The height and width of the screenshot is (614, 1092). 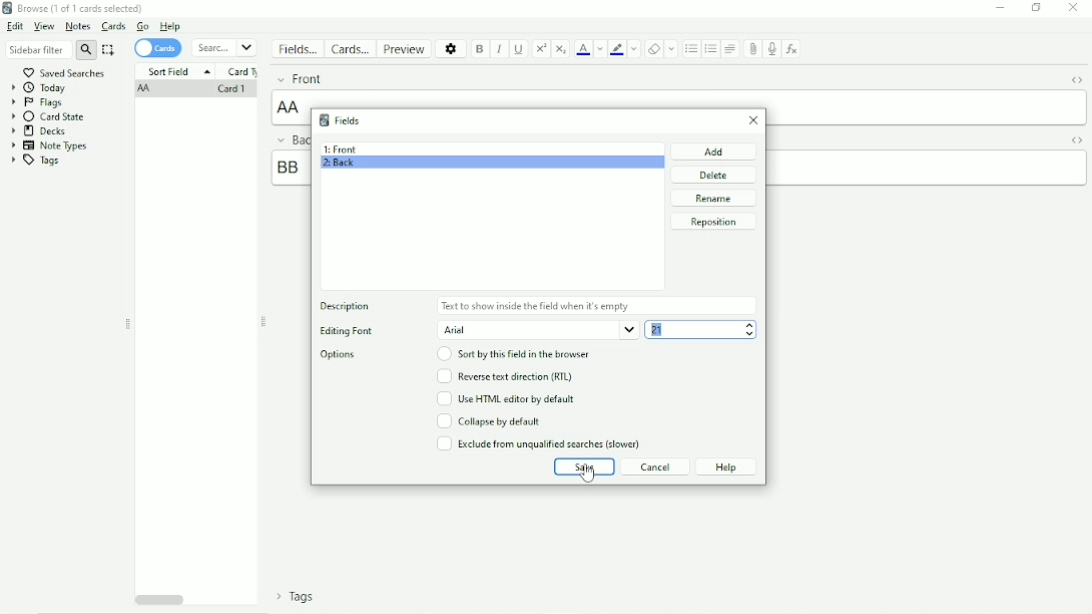 I want to click on Preview, so click(x=405, y=49).